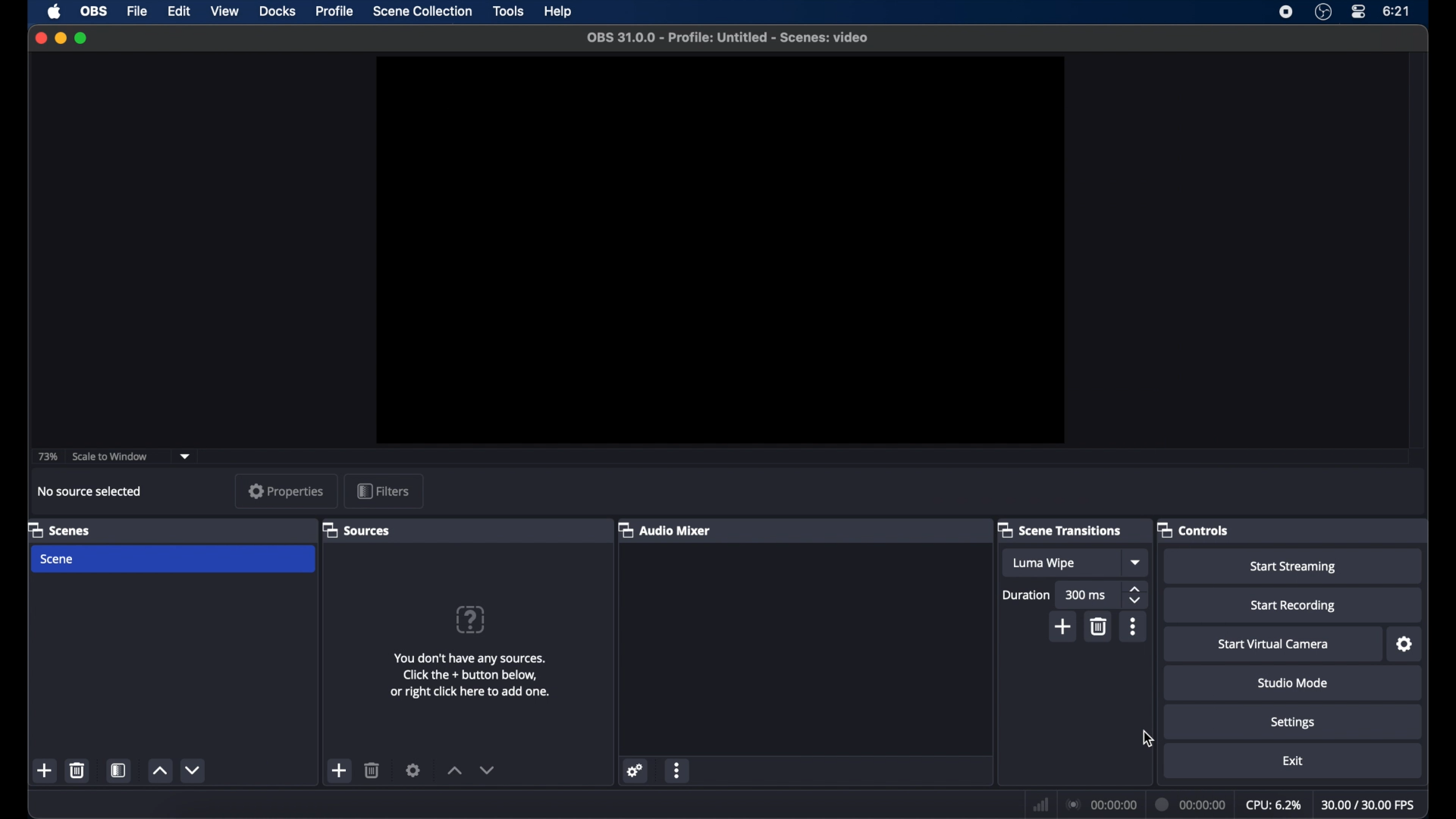 This screenshot has width=1456, height=819. I want to click on more options, so click(1133, 626).